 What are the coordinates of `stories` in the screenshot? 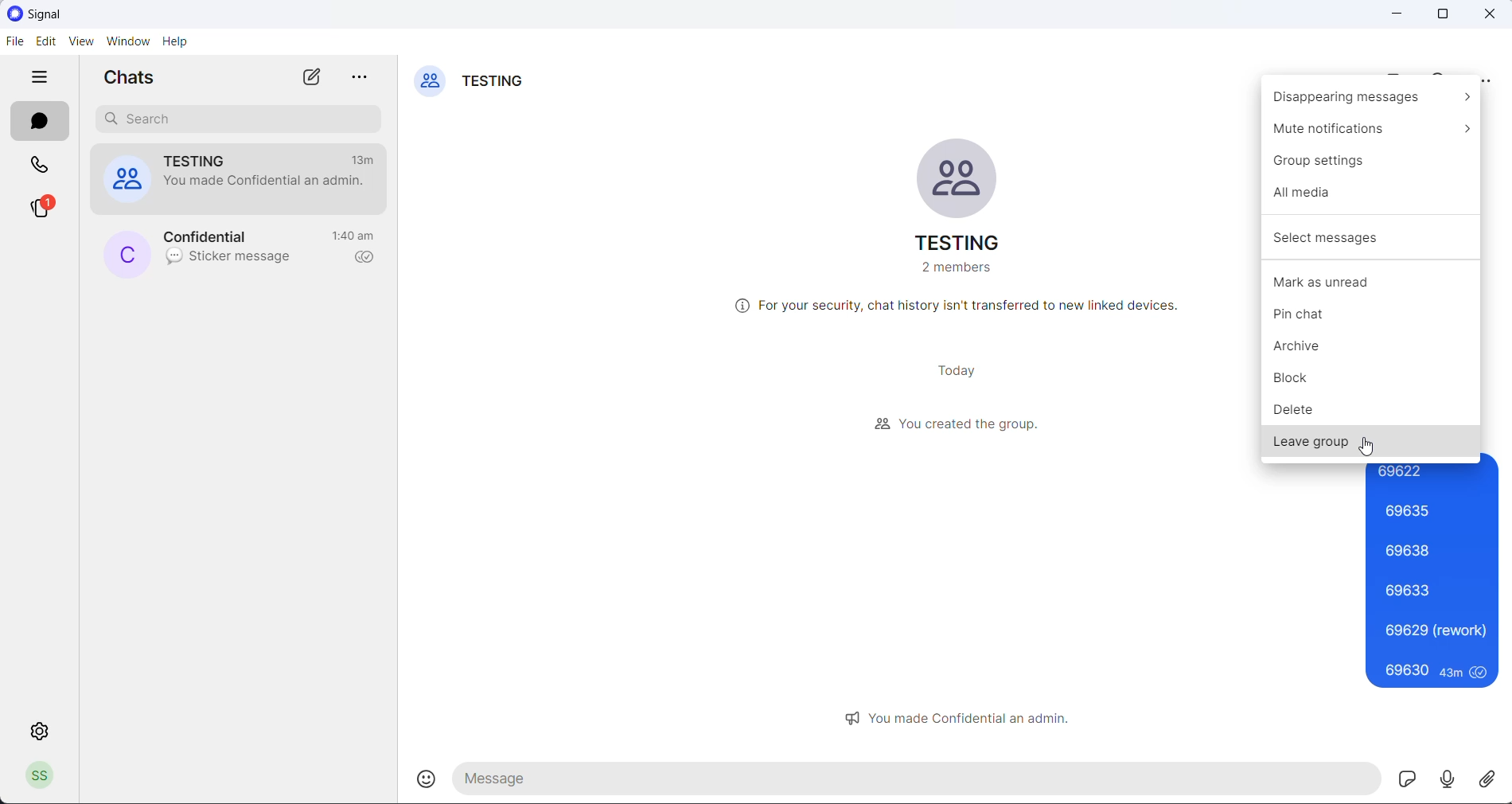 It's located at (44, 209).